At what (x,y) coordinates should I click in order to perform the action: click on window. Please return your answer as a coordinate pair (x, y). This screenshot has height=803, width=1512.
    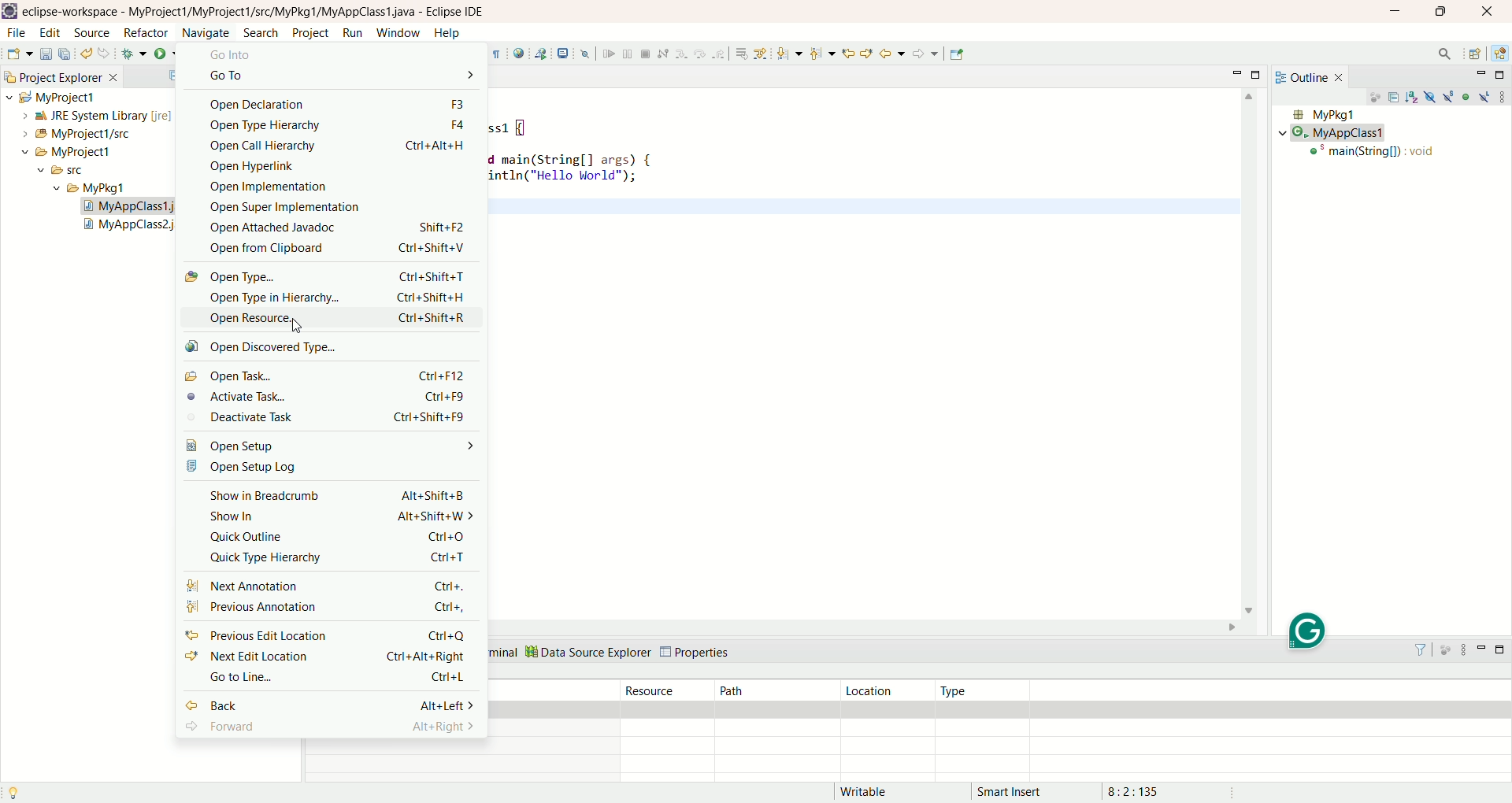
    Looking at the image, I should click on (397, 33).